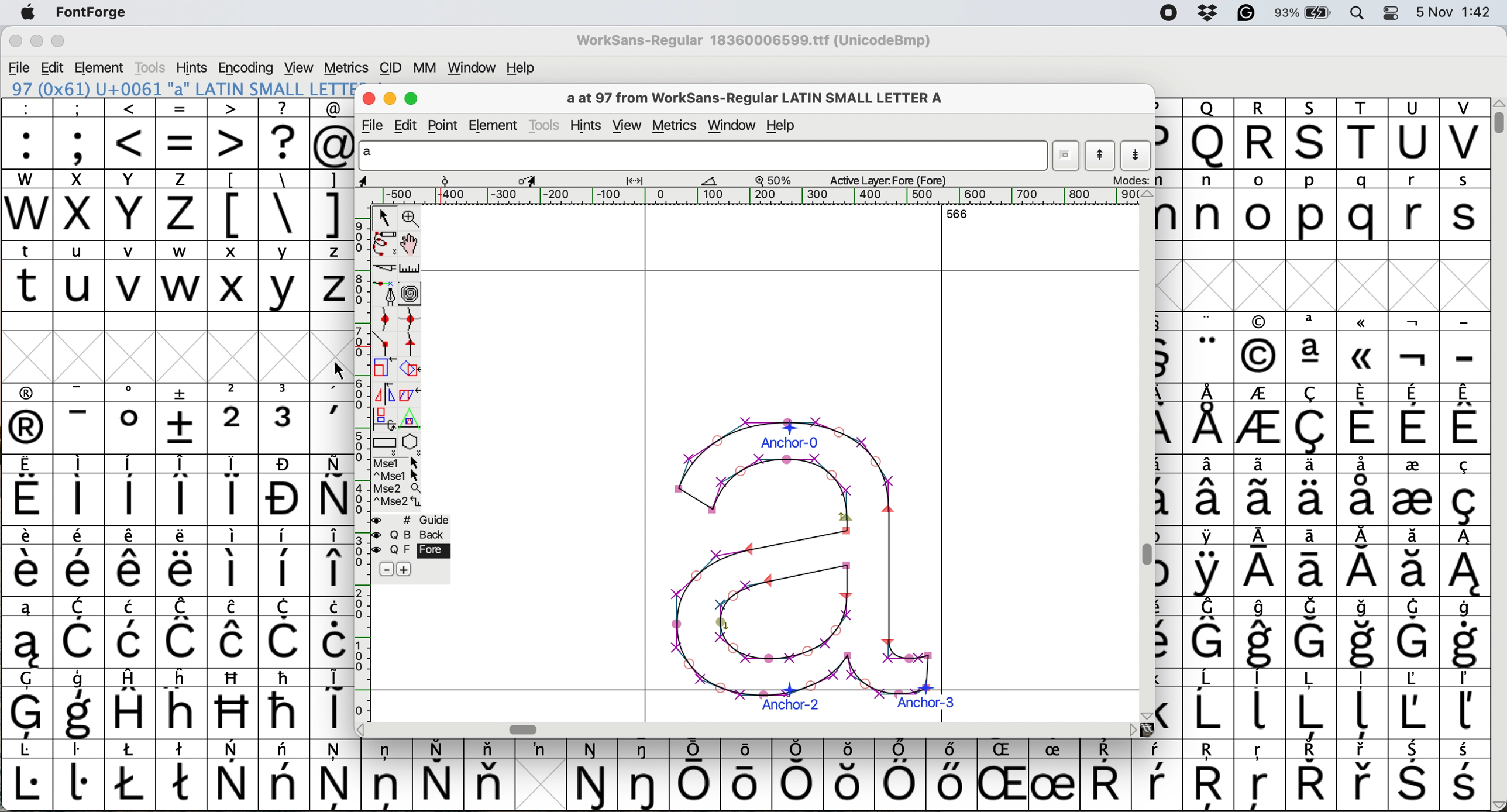  Describe the element at coordinates (27, 13) in the screenshot. I see `system logo` at that location.